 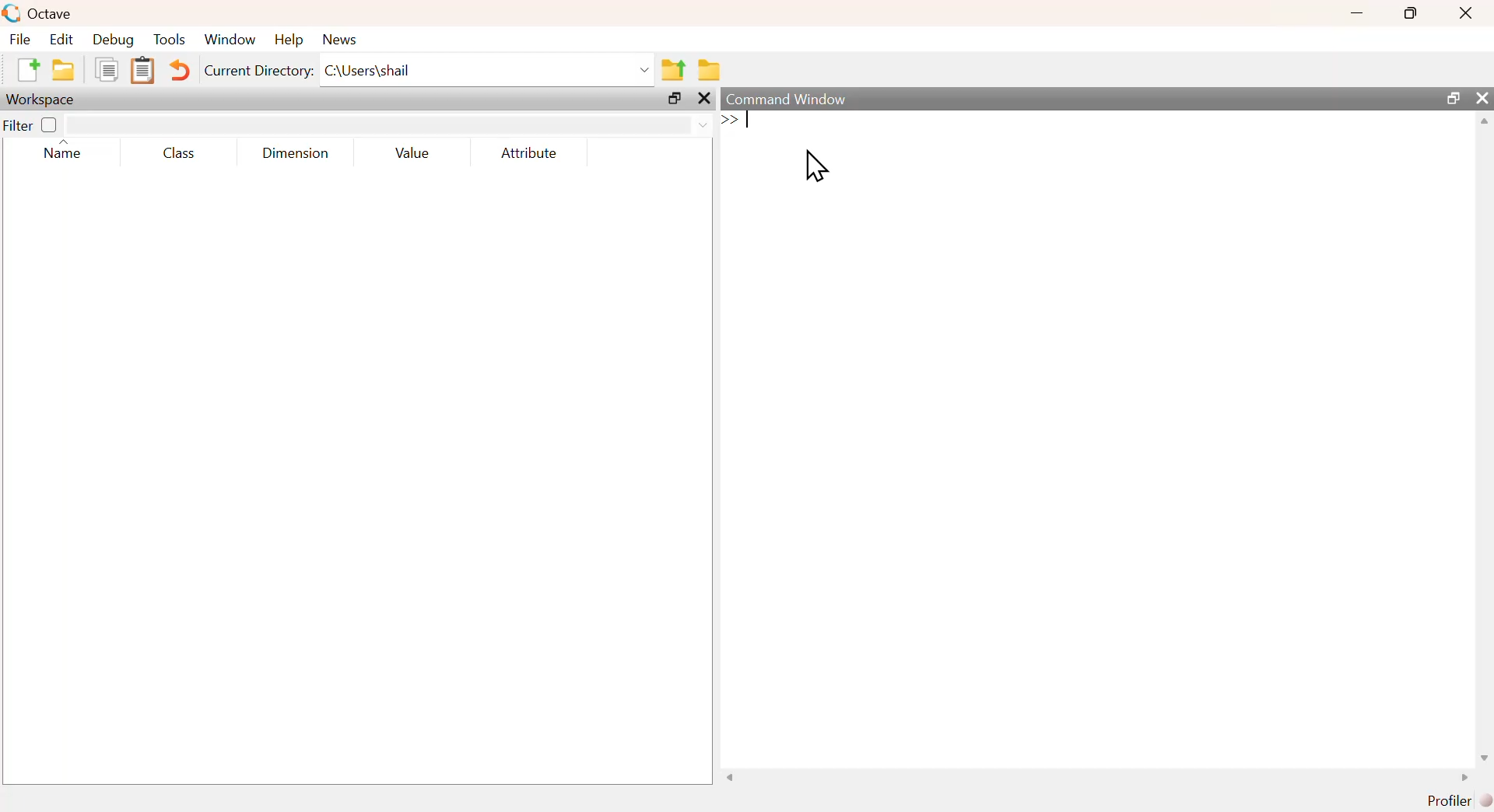 I want to click on cursor, so click(x=815, y=170).